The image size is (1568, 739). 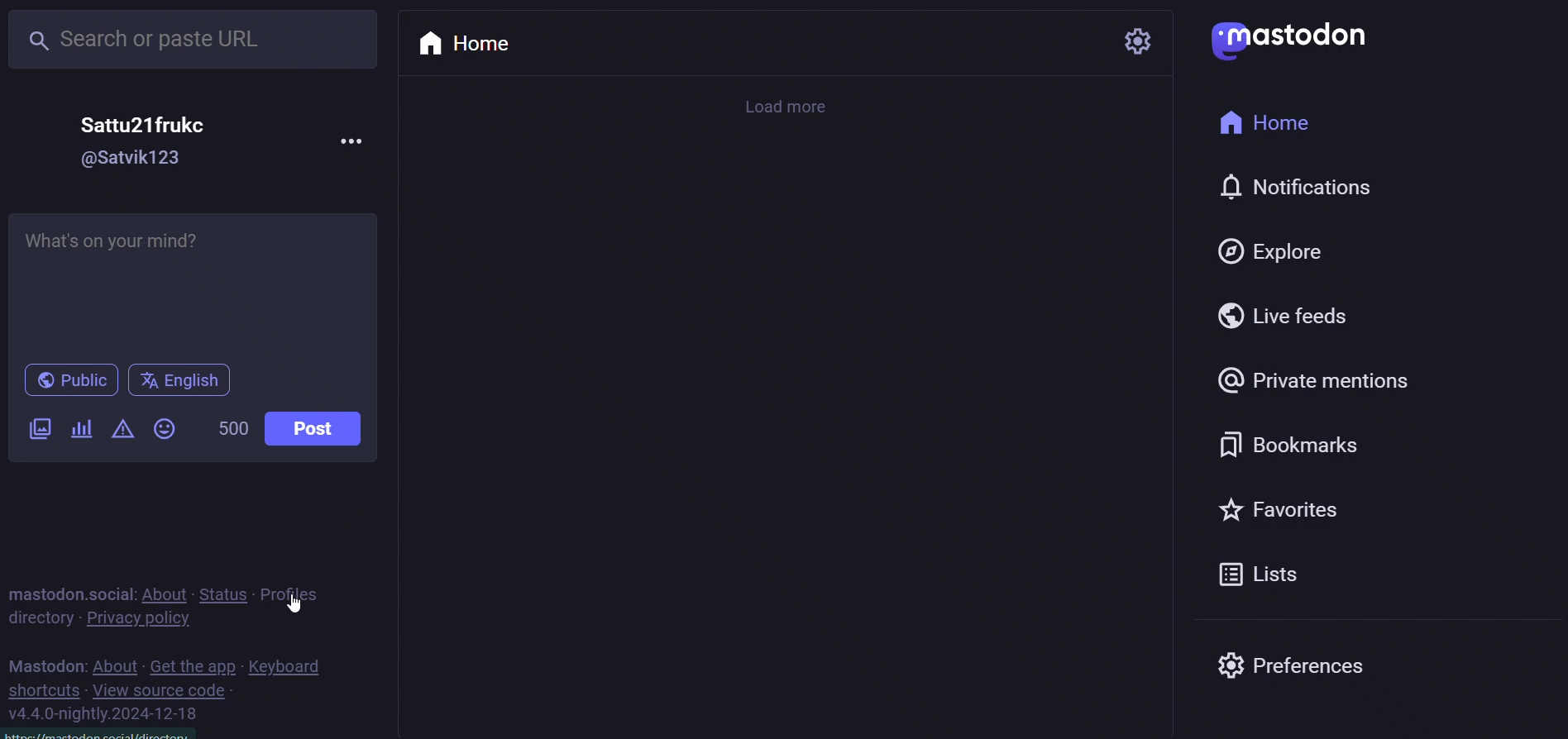 I want to click on view source code, so click(x=164, y=690).